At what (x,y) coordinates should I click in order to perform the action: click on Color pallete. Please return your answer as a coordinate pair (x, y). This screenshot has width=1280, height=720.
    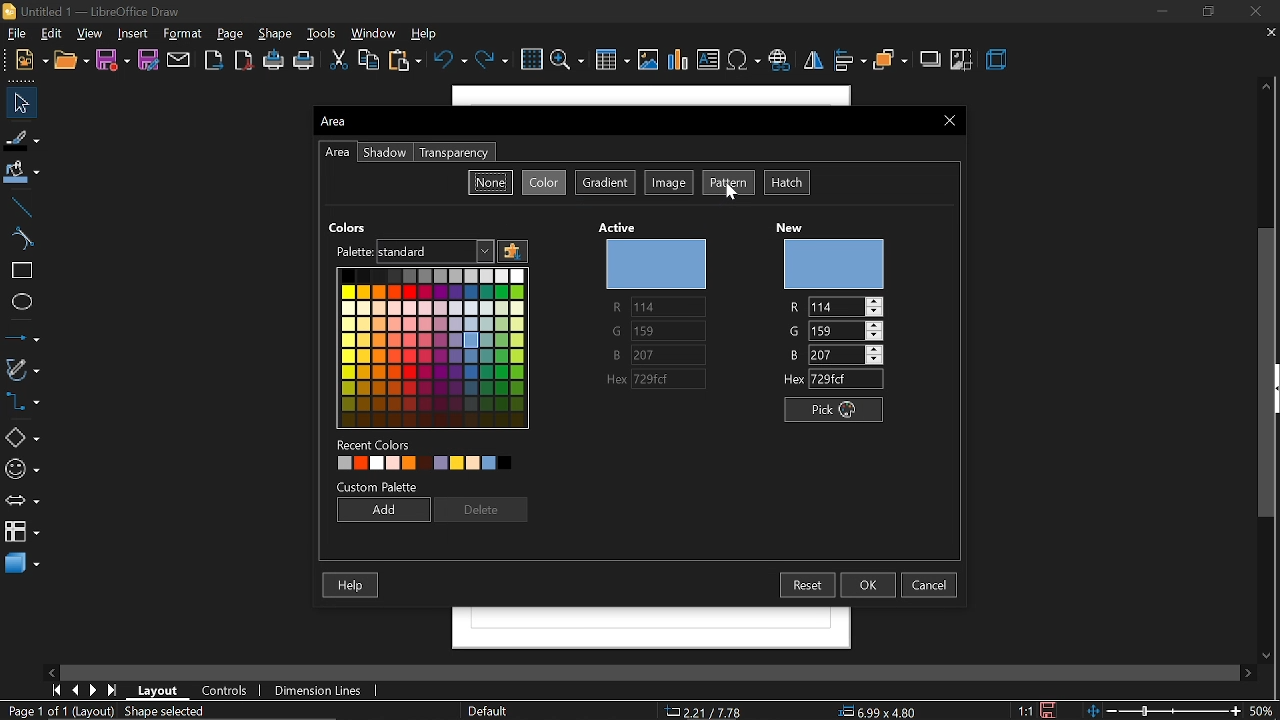
    Looking at the image, I should click on (435, 347).